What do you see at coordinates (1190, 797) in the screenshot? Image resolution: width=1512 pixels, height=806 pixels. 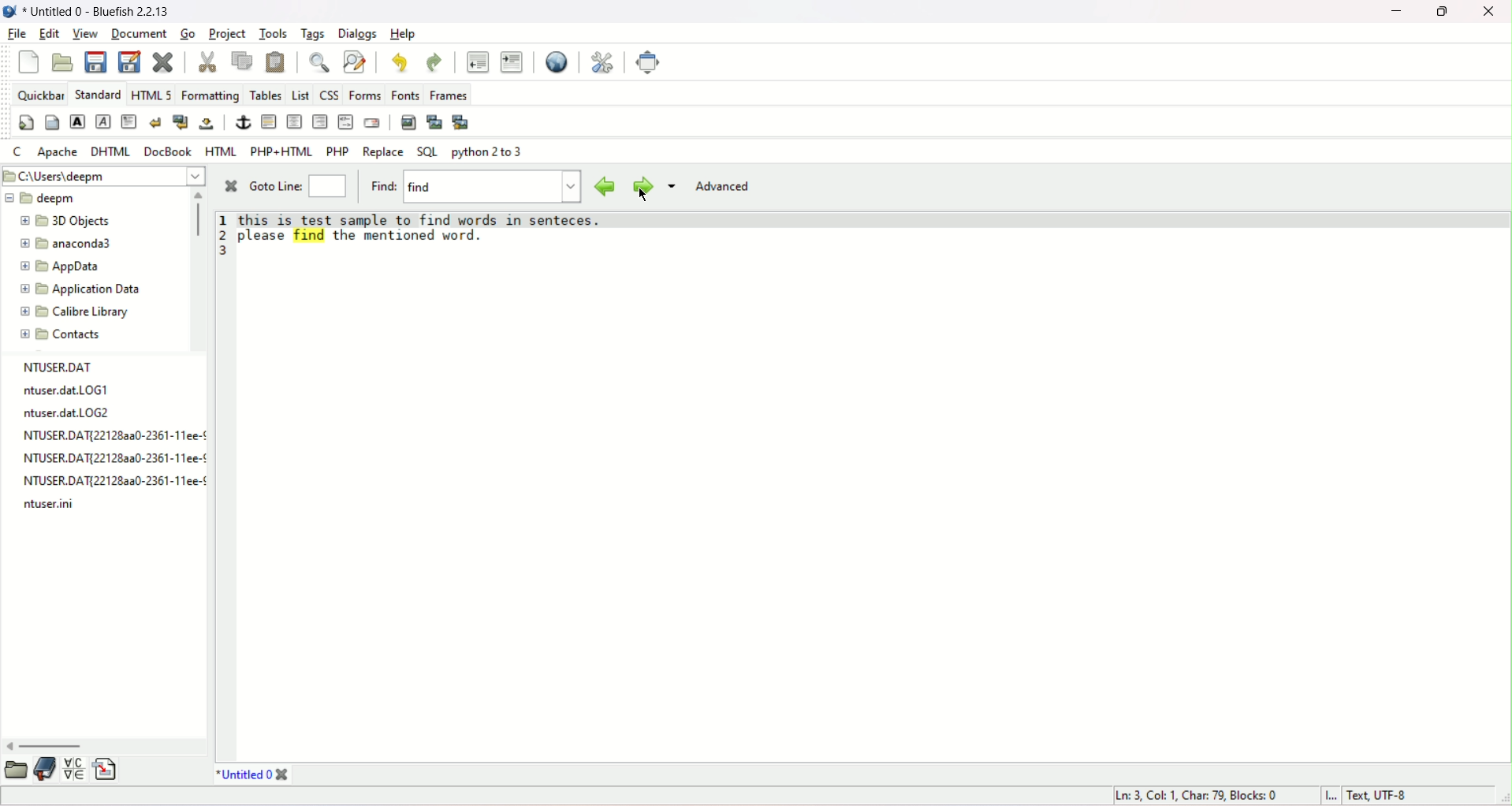 I see `ln, col, char, blocks` at bounding box center [1190, 797].